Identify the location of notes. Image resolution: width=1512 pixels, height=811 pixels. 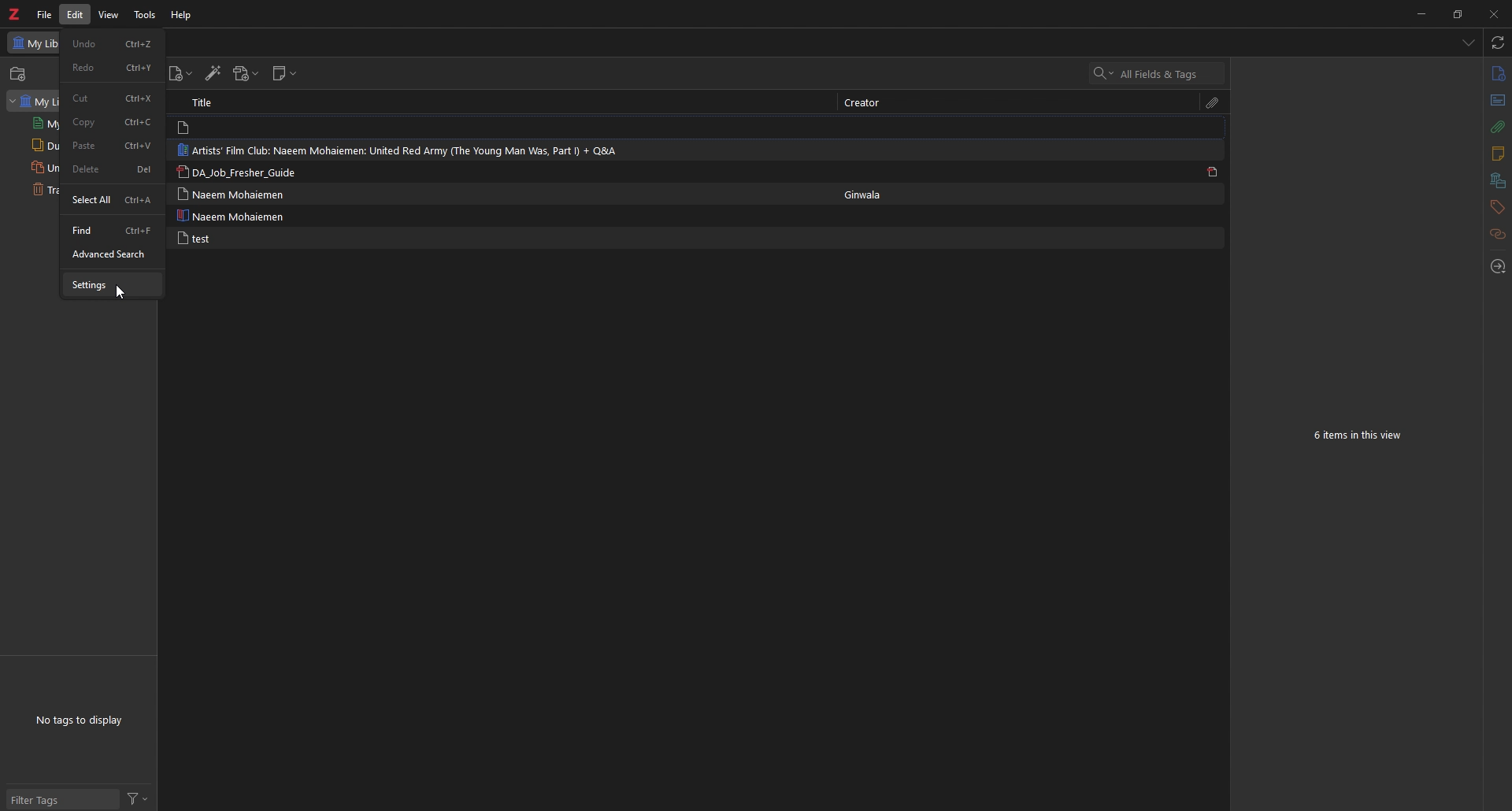
(1497, 154).